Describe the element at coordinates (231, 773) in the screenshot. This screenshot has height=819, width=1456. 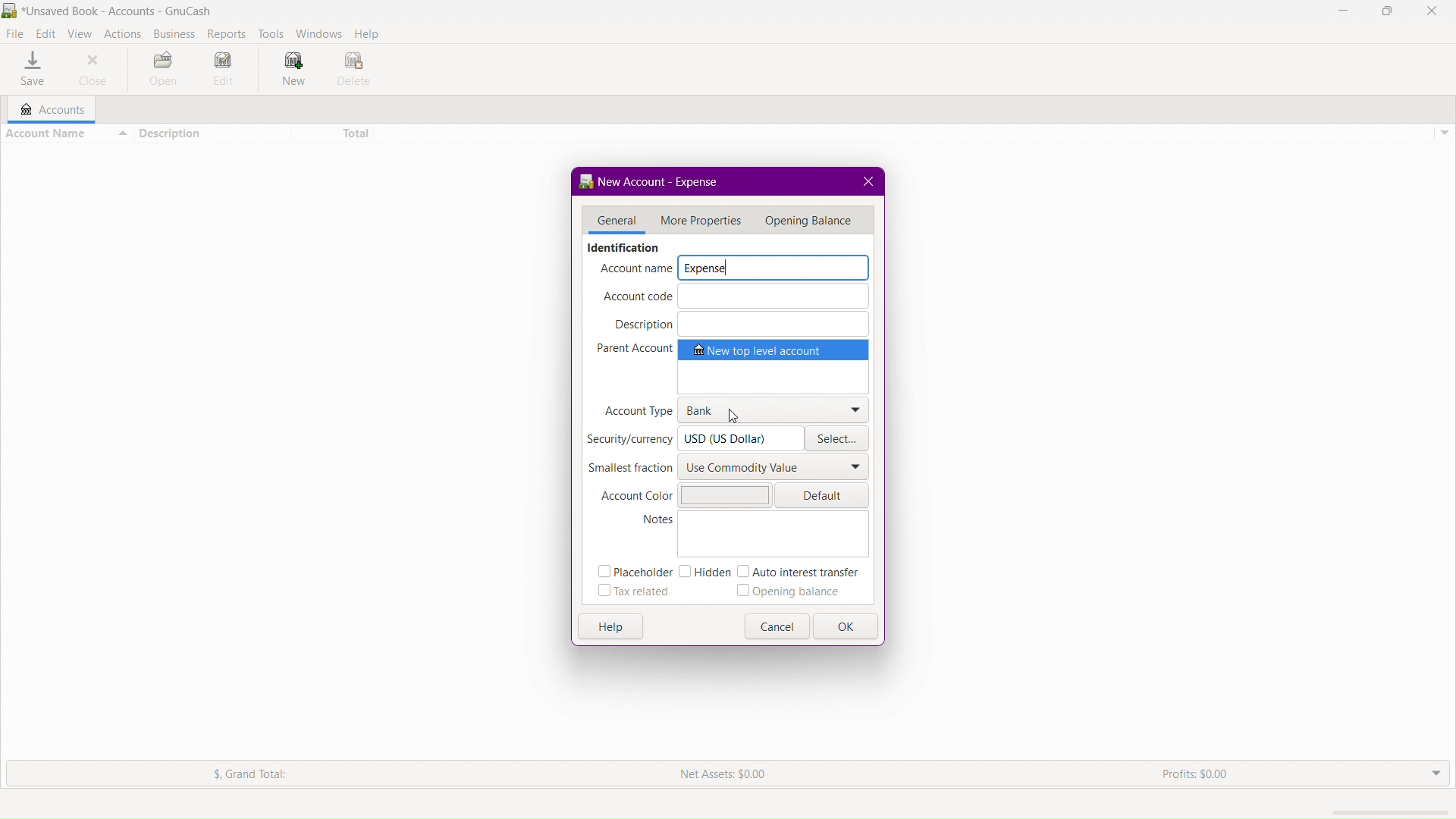
I see `$. Grand Total` at that location.